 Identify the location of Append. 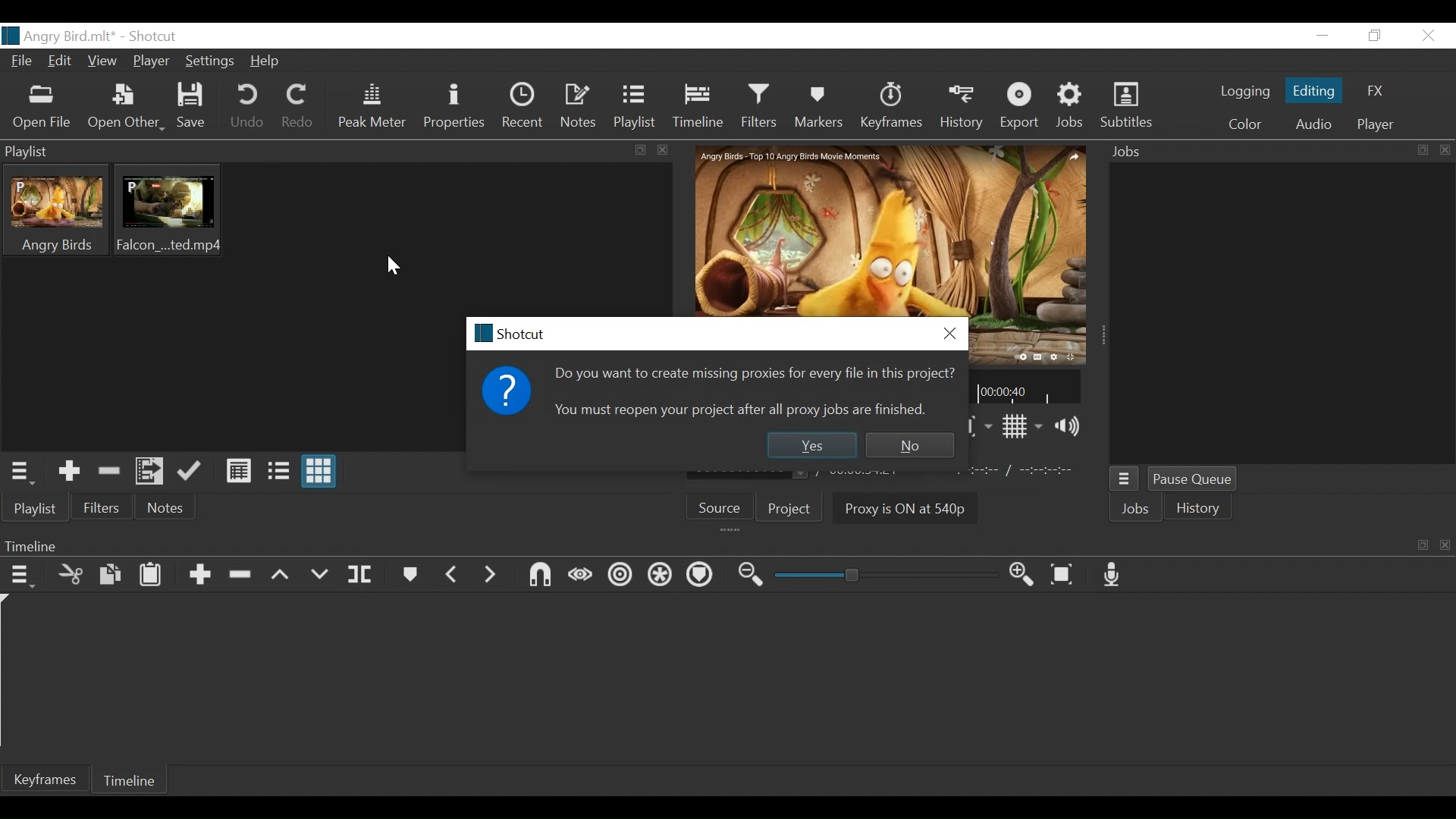
(199, 575).